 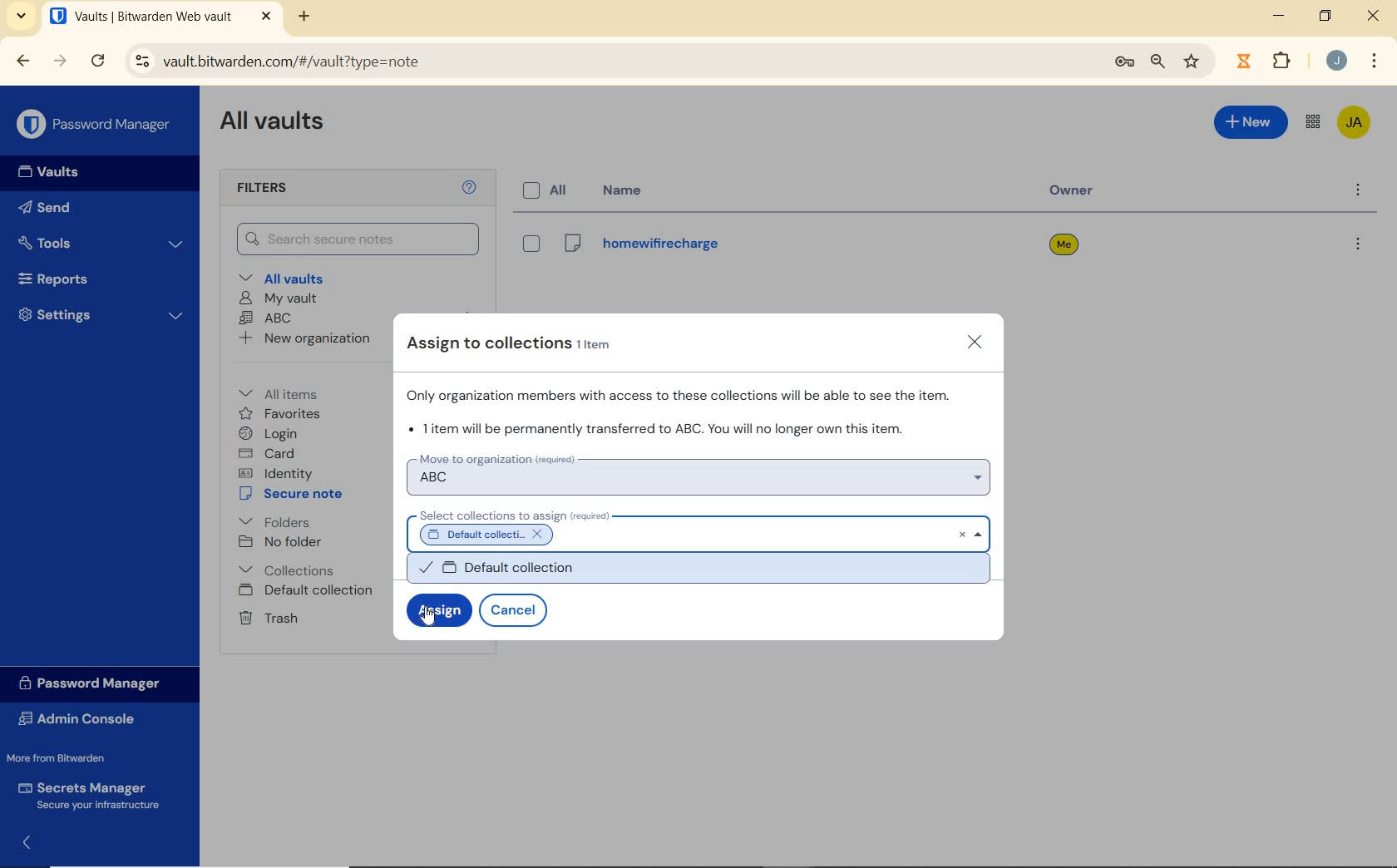 I want to click on expand/collapse, so click(x=22, y=846).